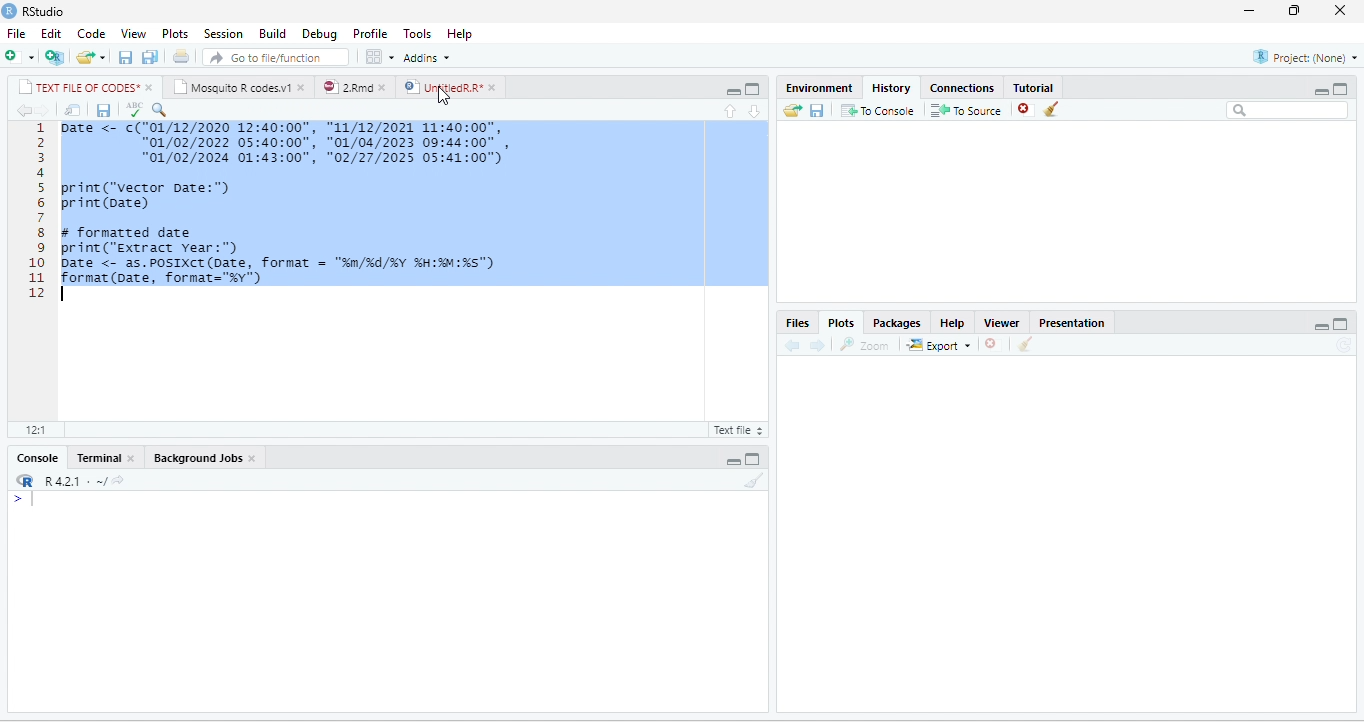  What do you see at coordinates (55, 57) in the screenshot?
I see `new project` at bounding box center [55, 57].